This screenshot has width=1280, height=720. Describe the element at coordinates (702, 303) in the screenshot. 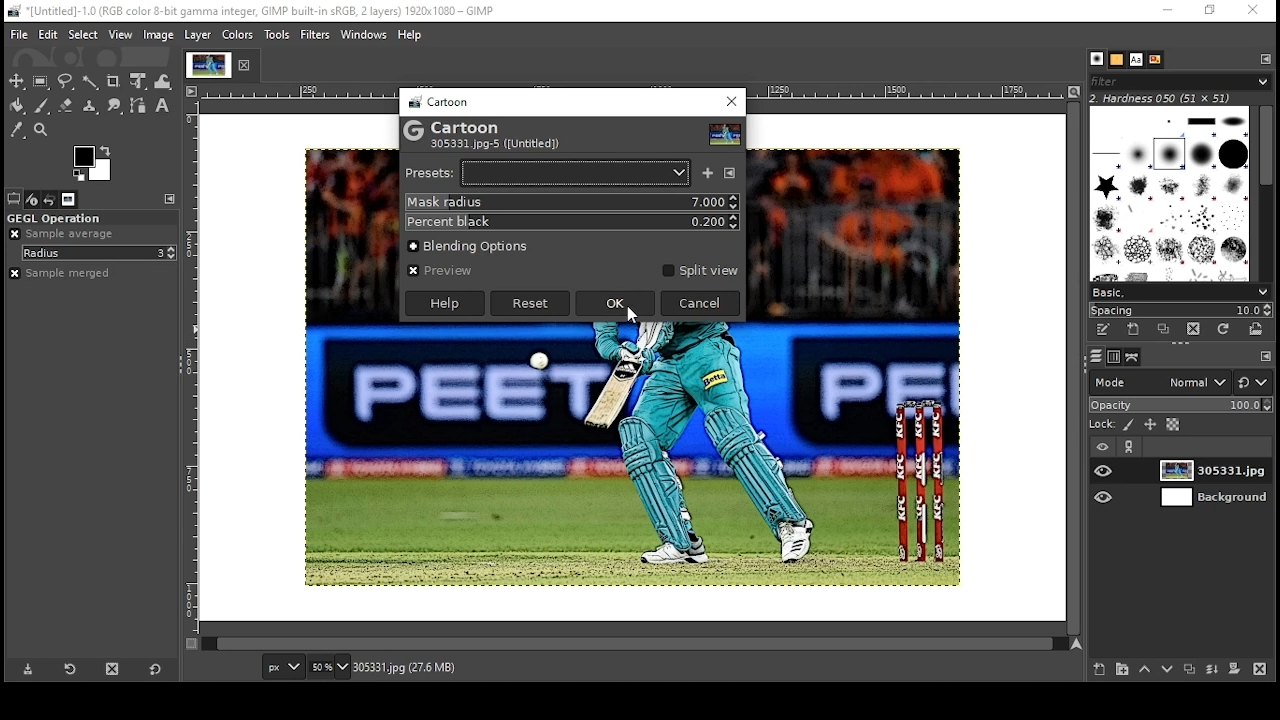

I see `cancel` at that location.